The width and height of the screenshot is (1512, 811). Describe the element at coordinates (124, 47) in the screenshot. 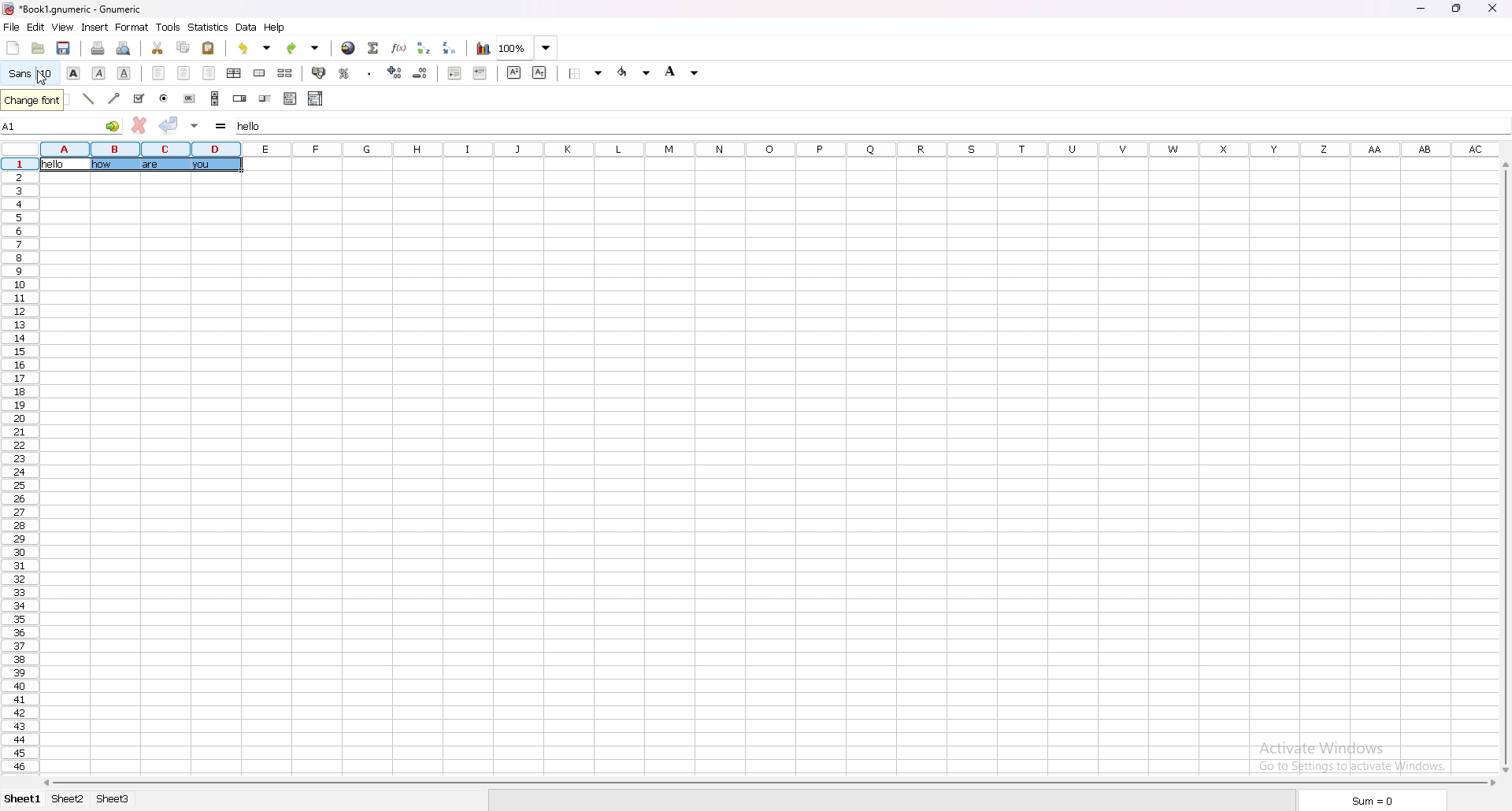

I see `print preview` at that location.